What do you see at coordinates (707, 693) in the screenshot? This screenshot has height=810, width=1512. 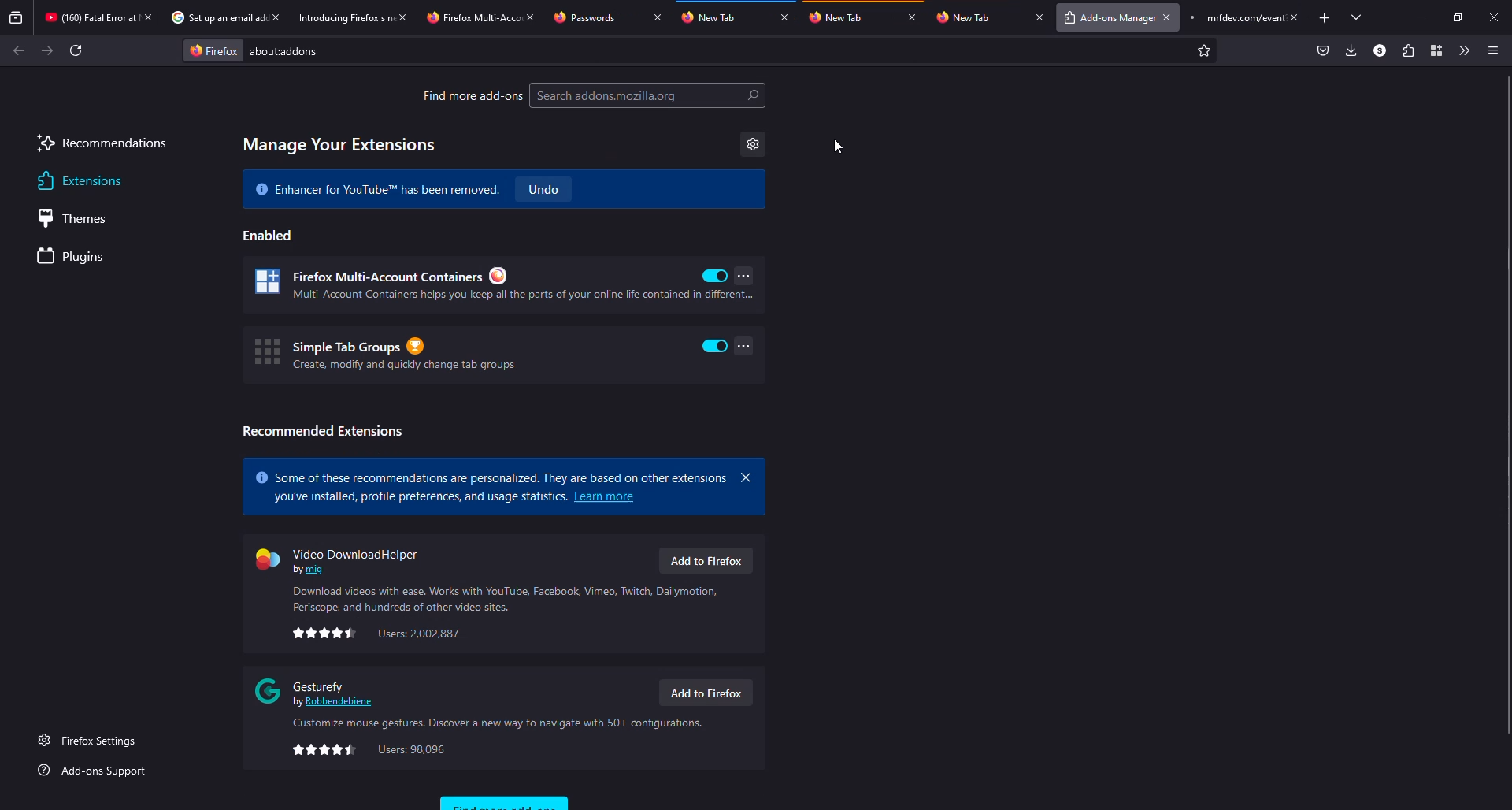 I see `add to firefox` at bounding box center [707, 693].